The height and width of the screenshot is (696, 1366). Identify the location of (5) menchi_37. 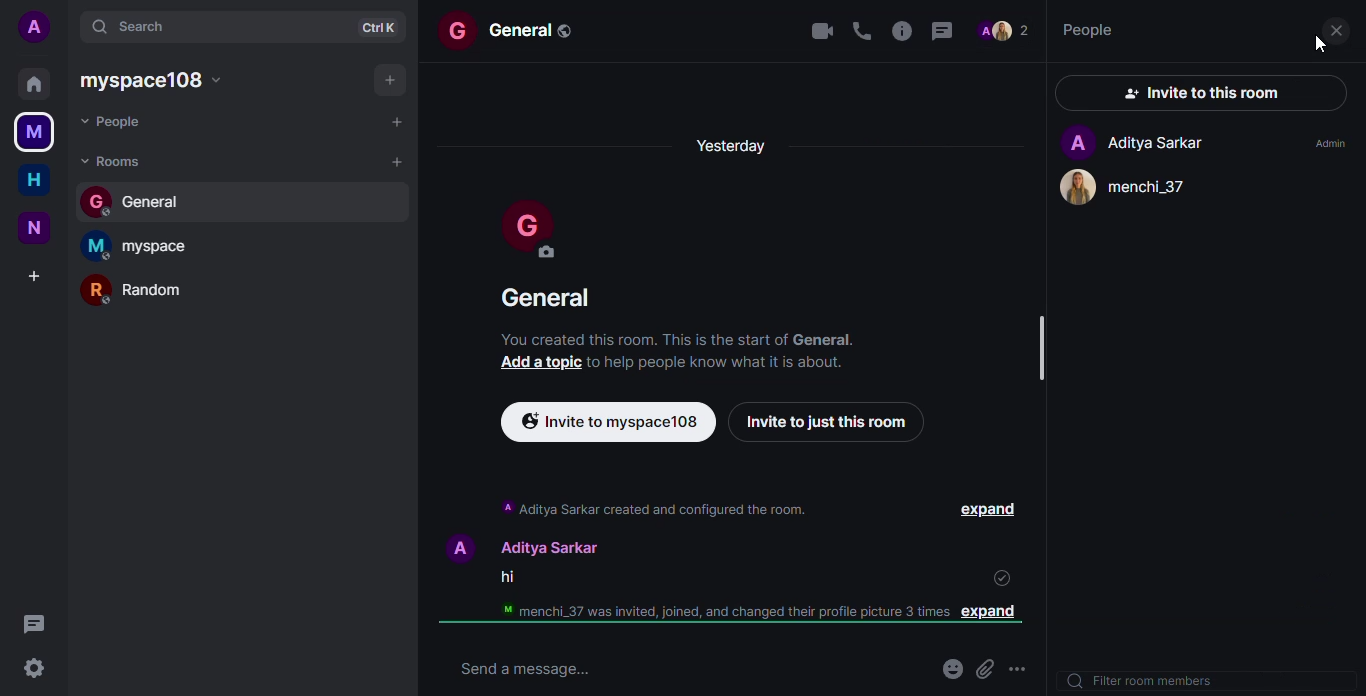
(1143, 189).